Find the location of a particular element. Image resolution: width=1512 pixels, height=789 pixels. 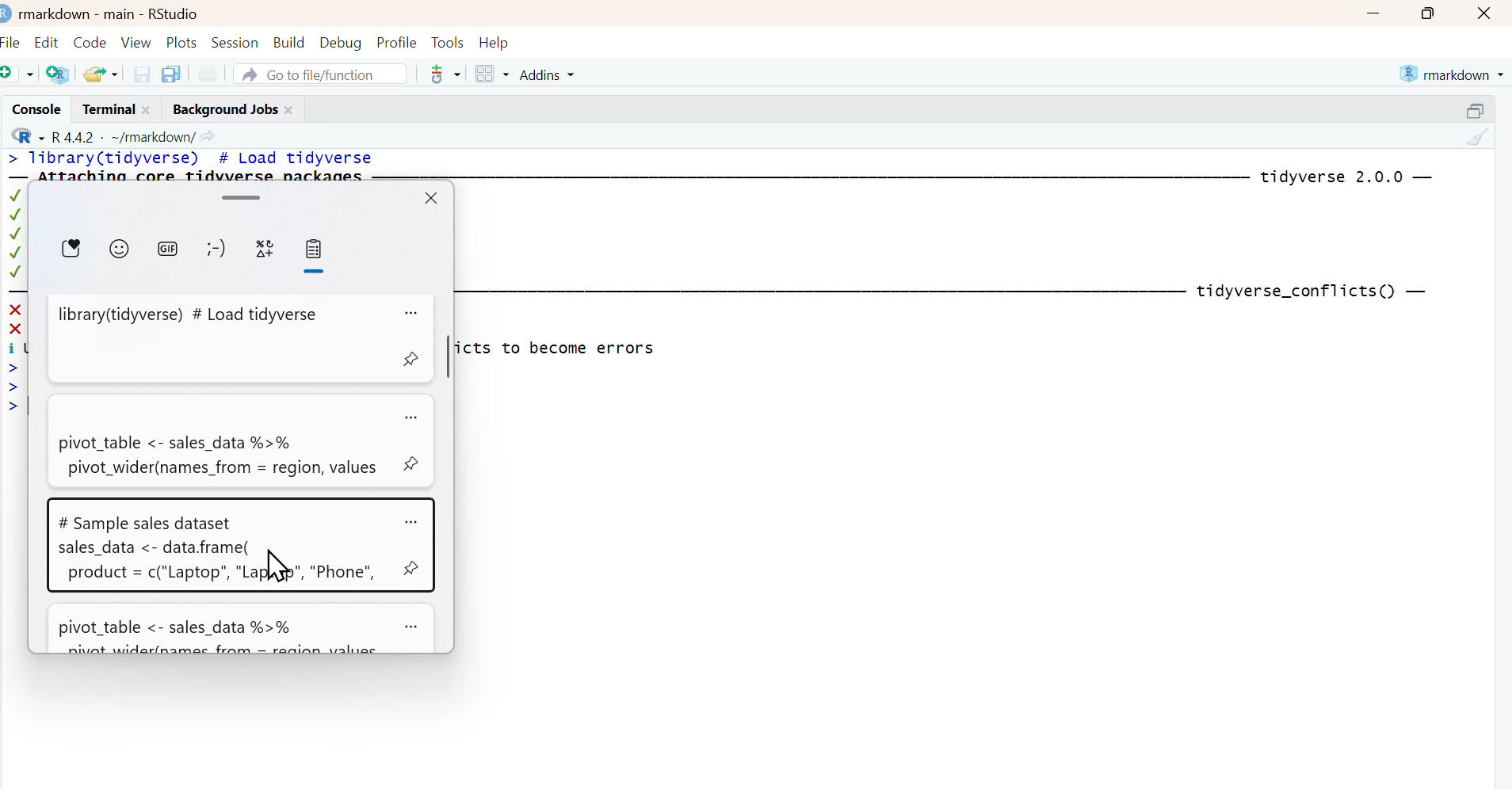

R is located at coordinates (25, 135).